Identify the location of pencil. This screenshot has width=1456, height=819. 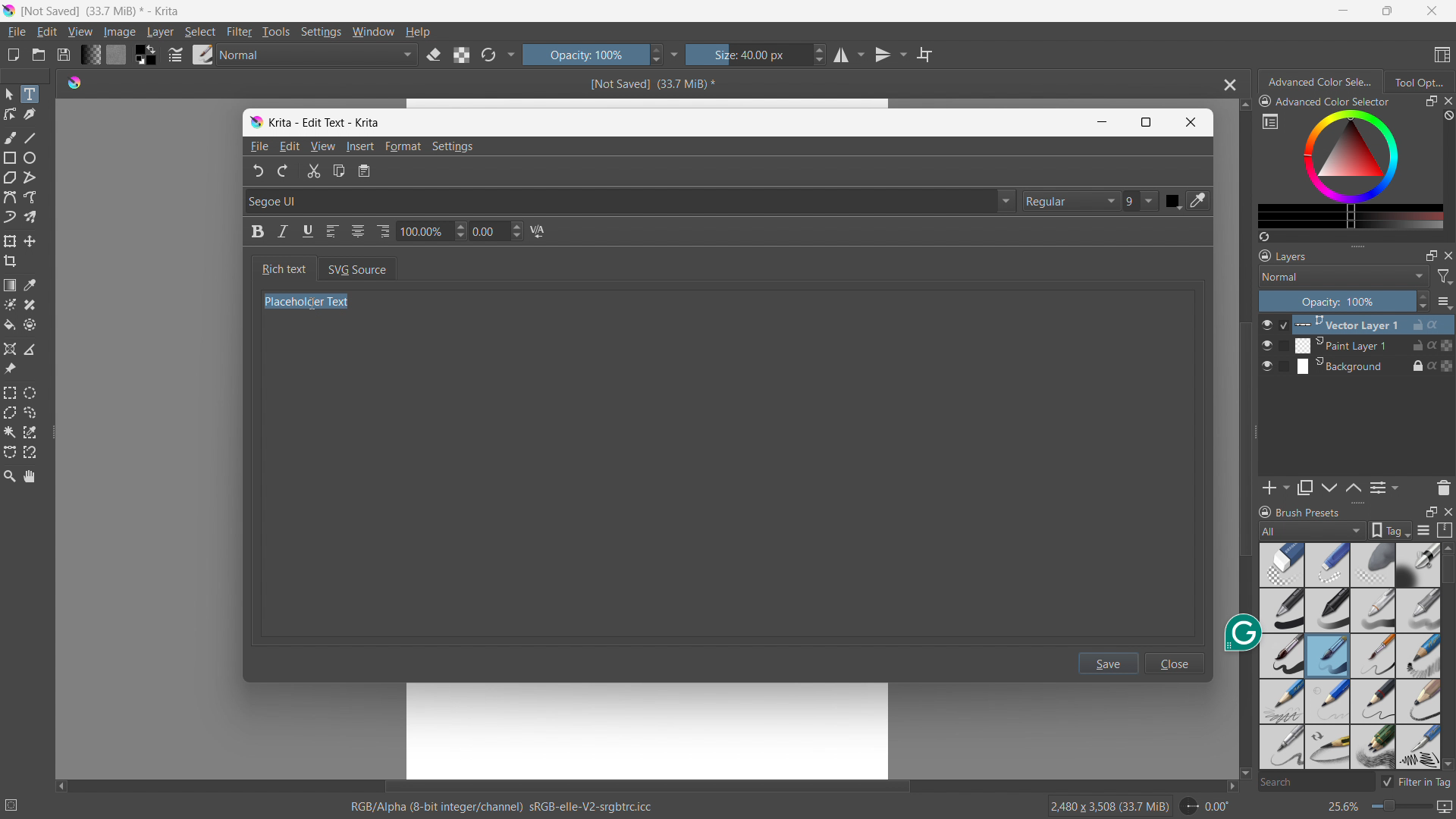
(1281, 701).